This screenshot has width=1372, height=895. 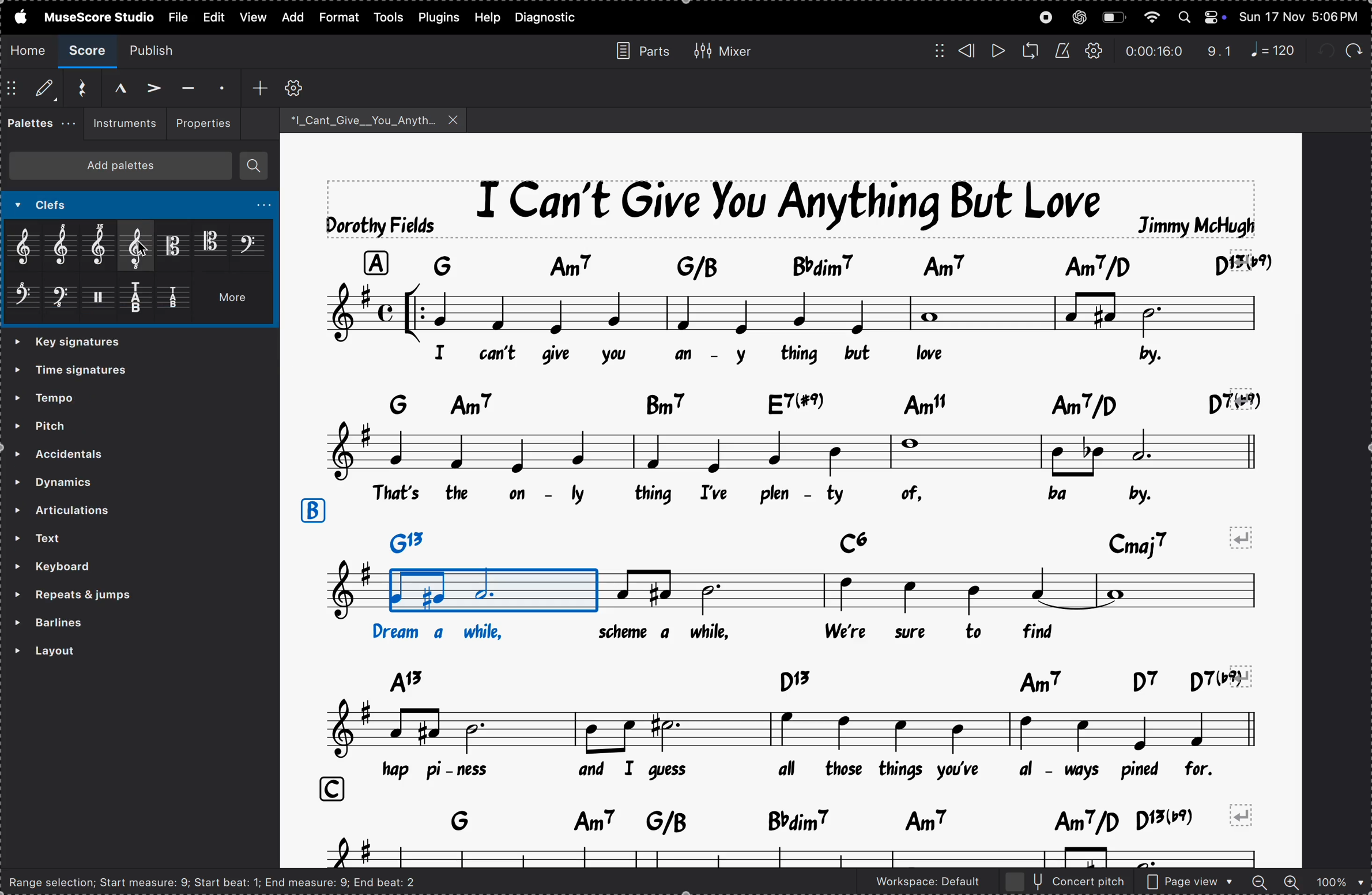 I want to click on bass clef, so click(x=250, y=243).